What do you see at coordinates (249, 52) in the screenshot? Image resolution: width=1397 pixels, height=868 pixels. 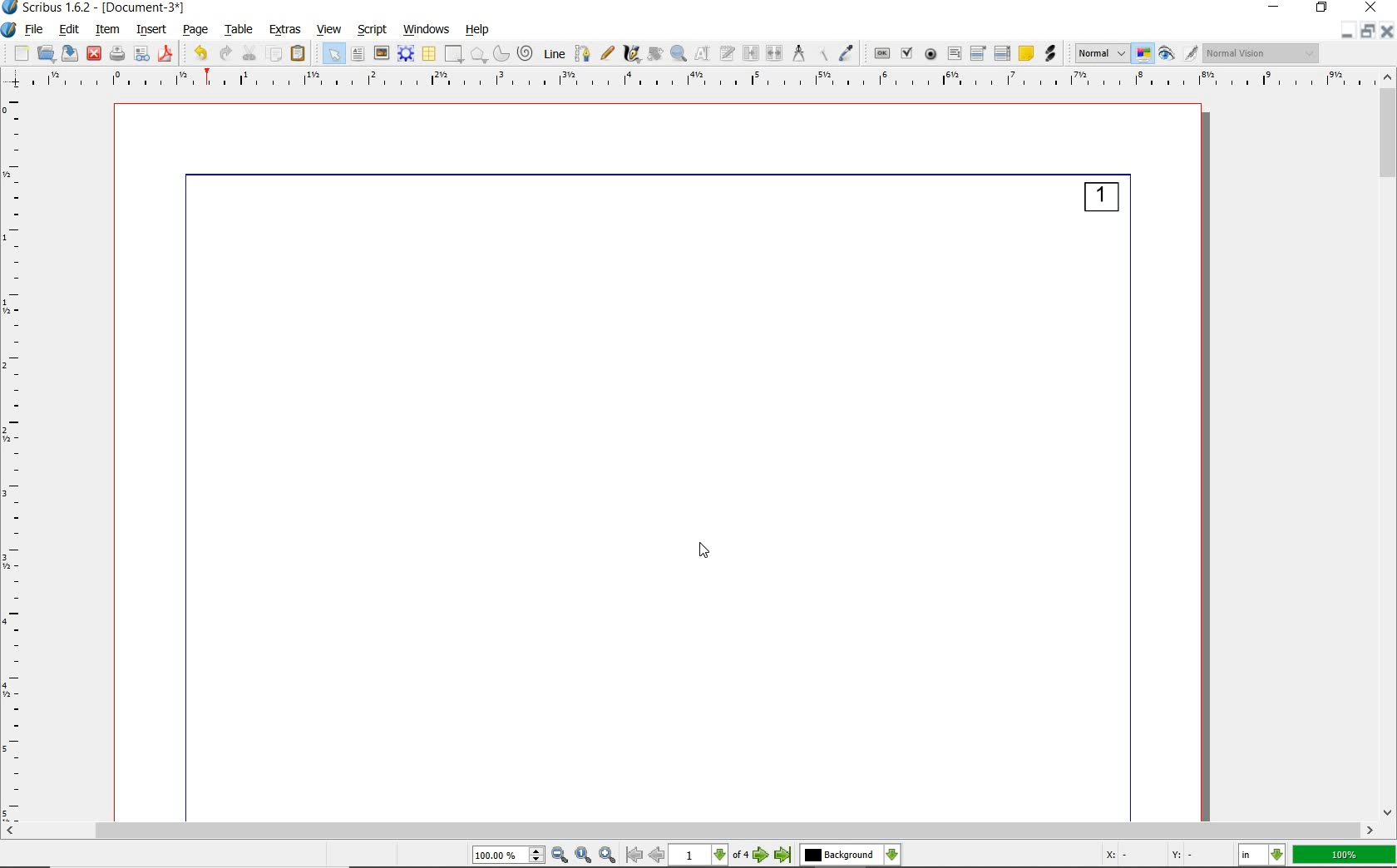 I see `cut` at bounding box center [249, 52].